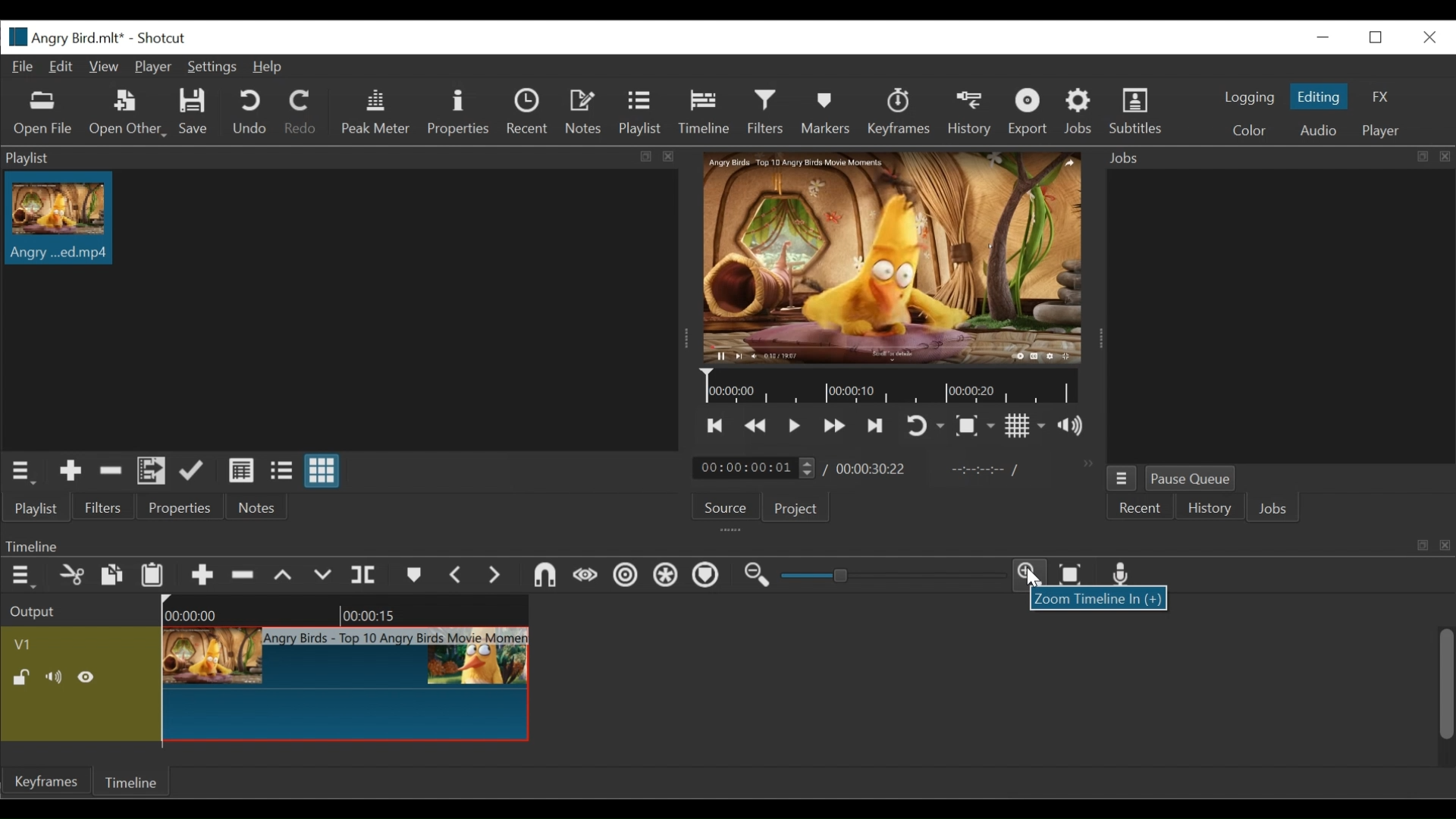  I want to click on Recent, so click(529, 112).